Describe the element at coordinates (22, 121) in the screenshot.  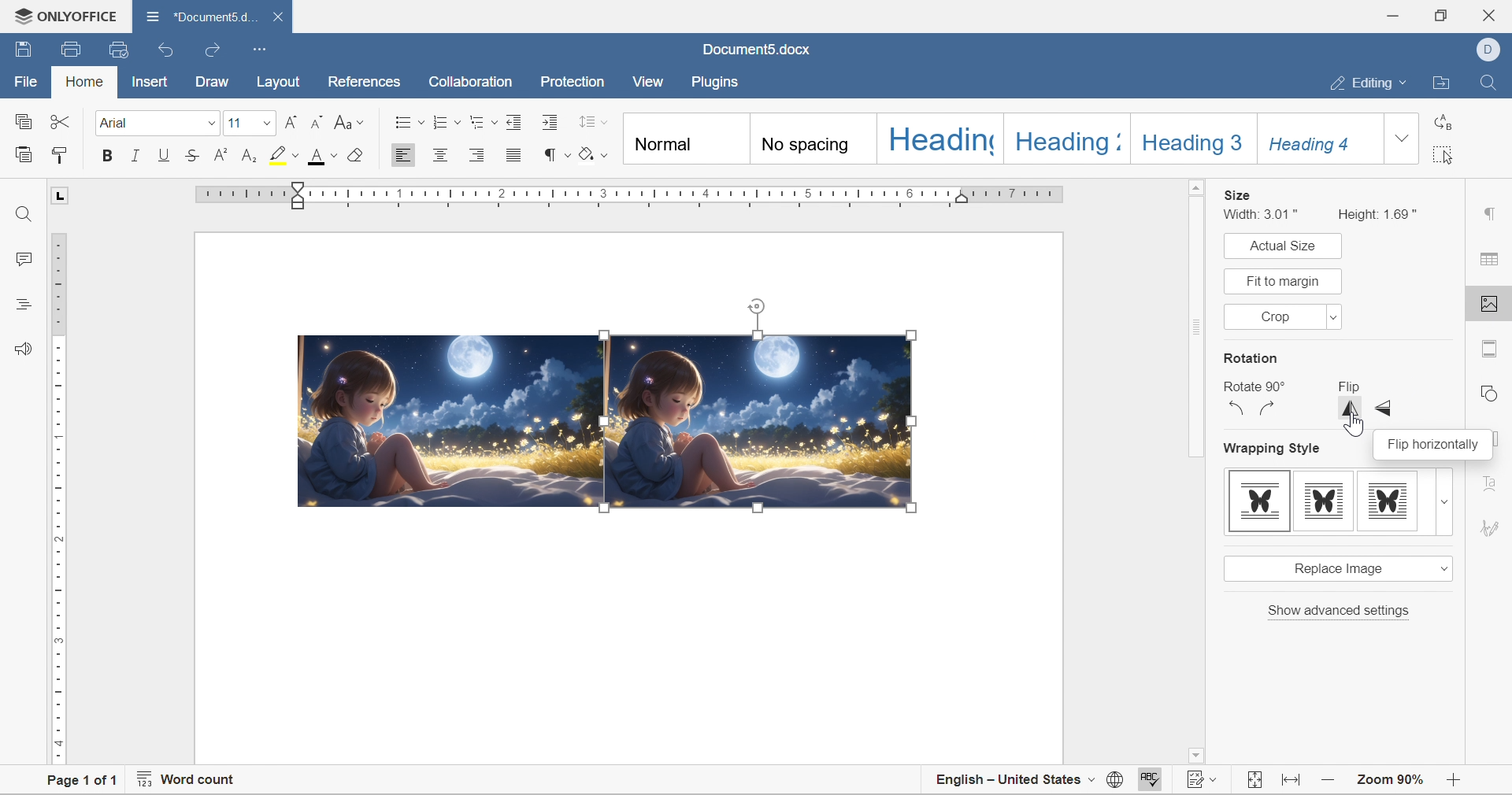
I see `copy` at that location.